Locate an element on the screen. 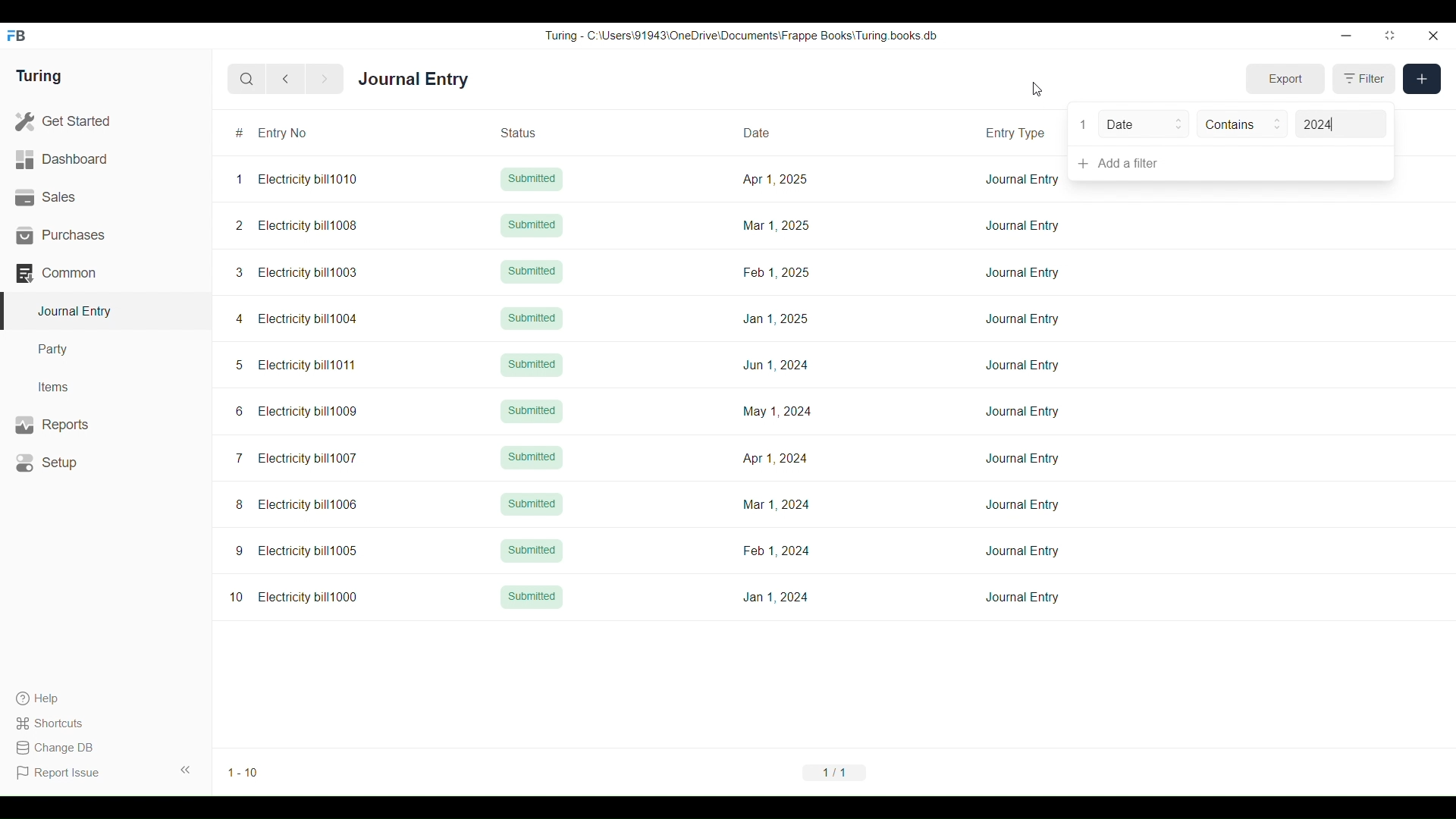 This screenshot has width=1456, height=819. 5 Electricity bill1011 is located at coordinates (295, 366).